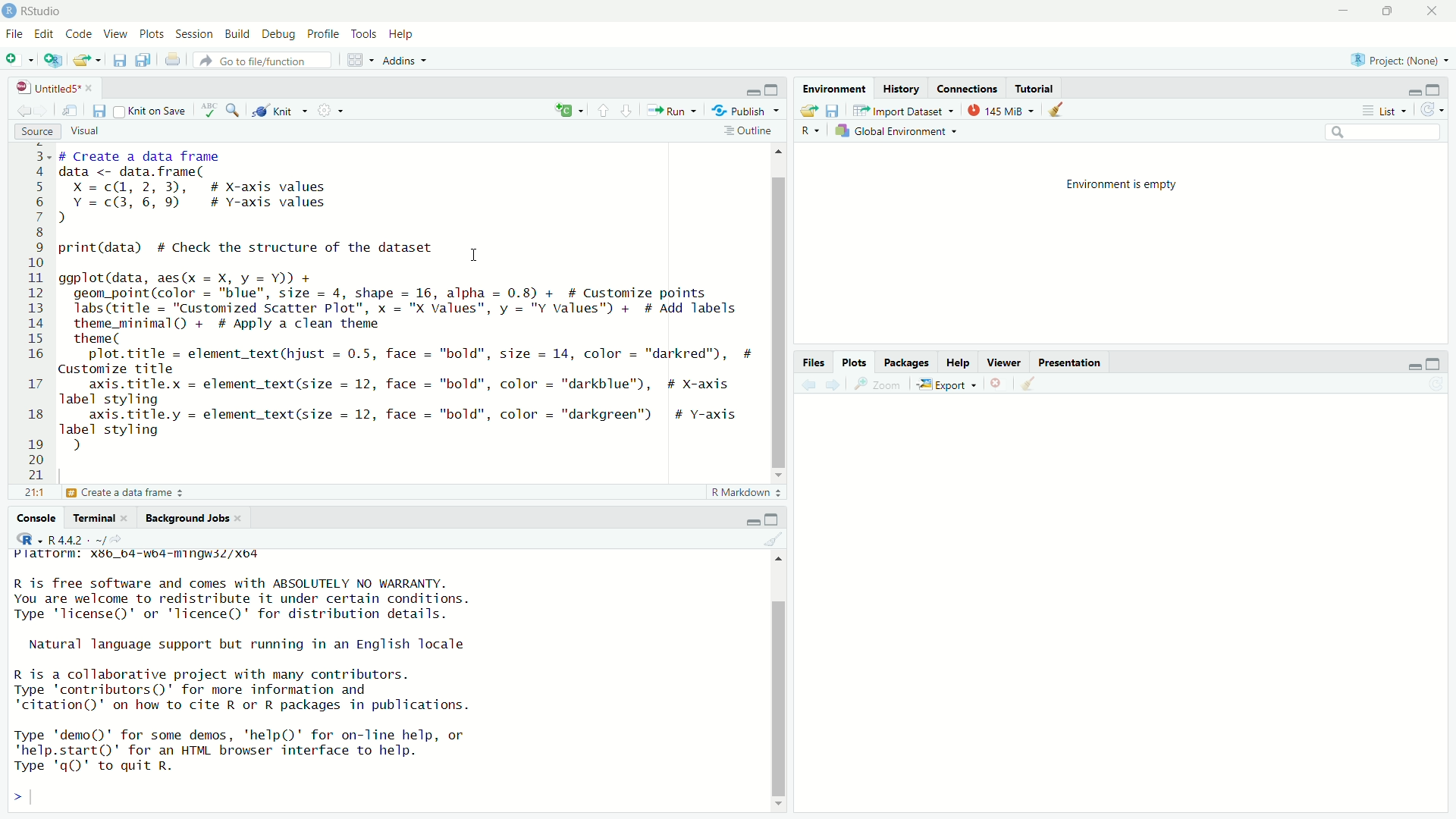 Image resolution: width=1456 pixels, height=819 pixels. What do you see at coordinates (31, 493) in the screenshot?
I see `2:1:1` at bounding box center [31, 493].